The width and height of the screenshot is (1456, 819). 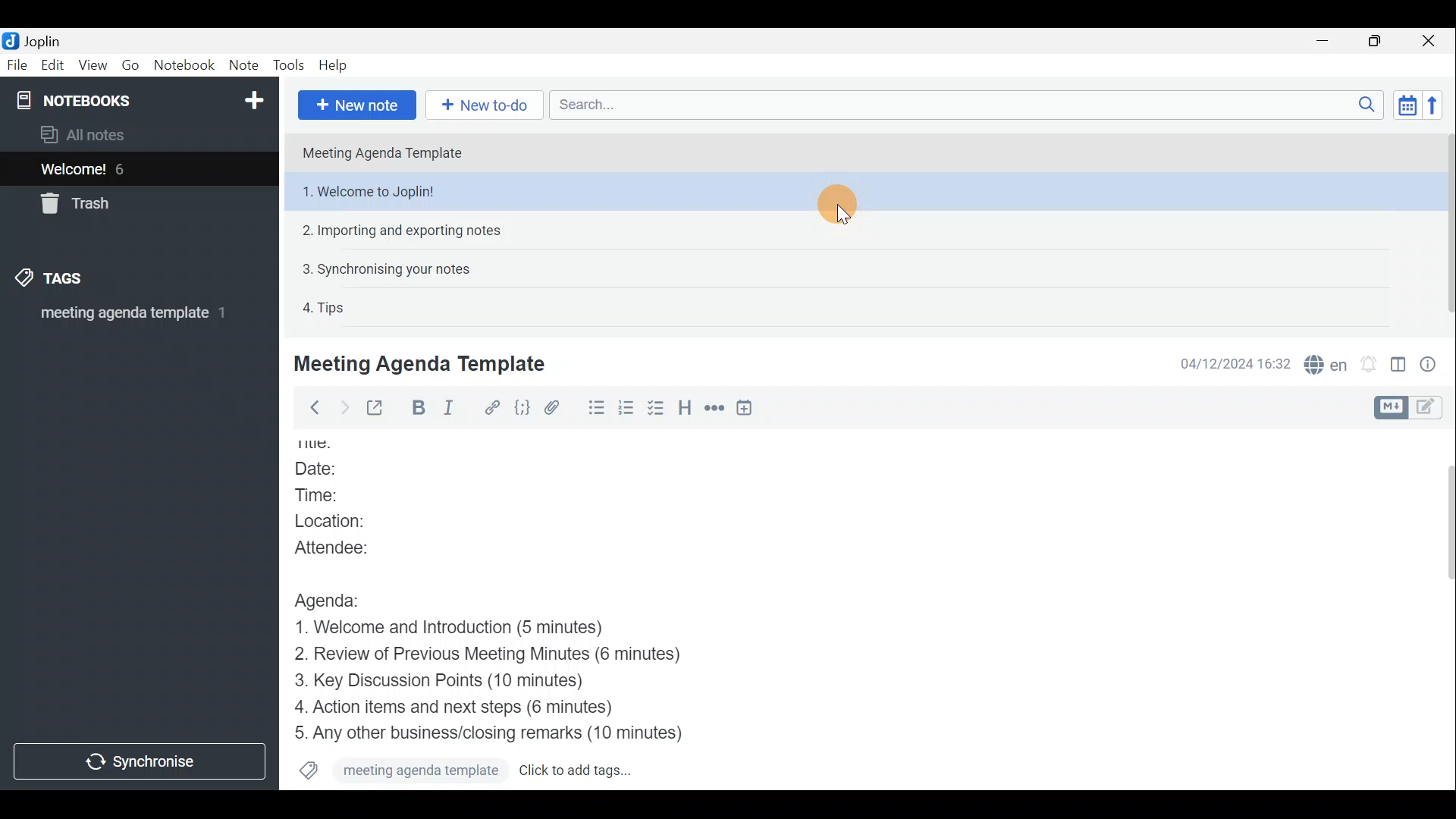 I want to click on Notebooks, so click(x=142, y=99).